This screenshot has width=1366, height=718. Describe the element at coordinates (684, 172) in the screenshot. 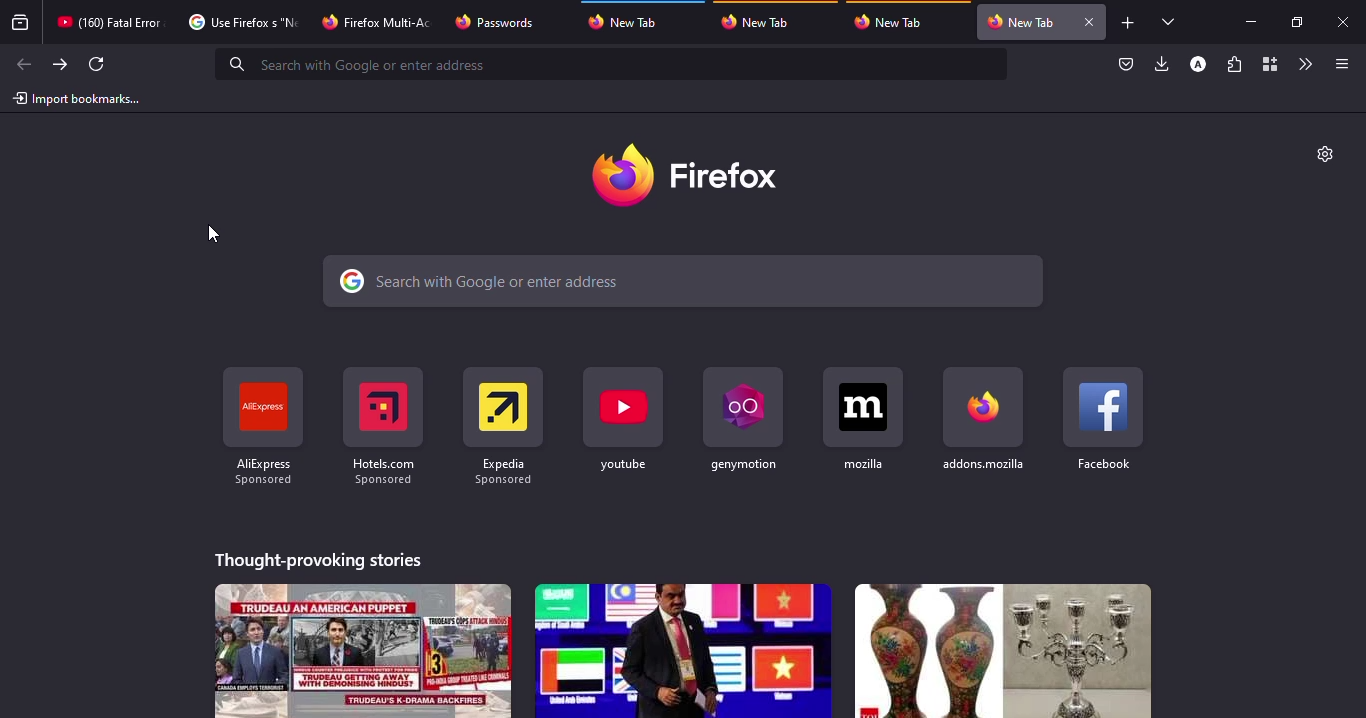

I see `firefox` at that location.